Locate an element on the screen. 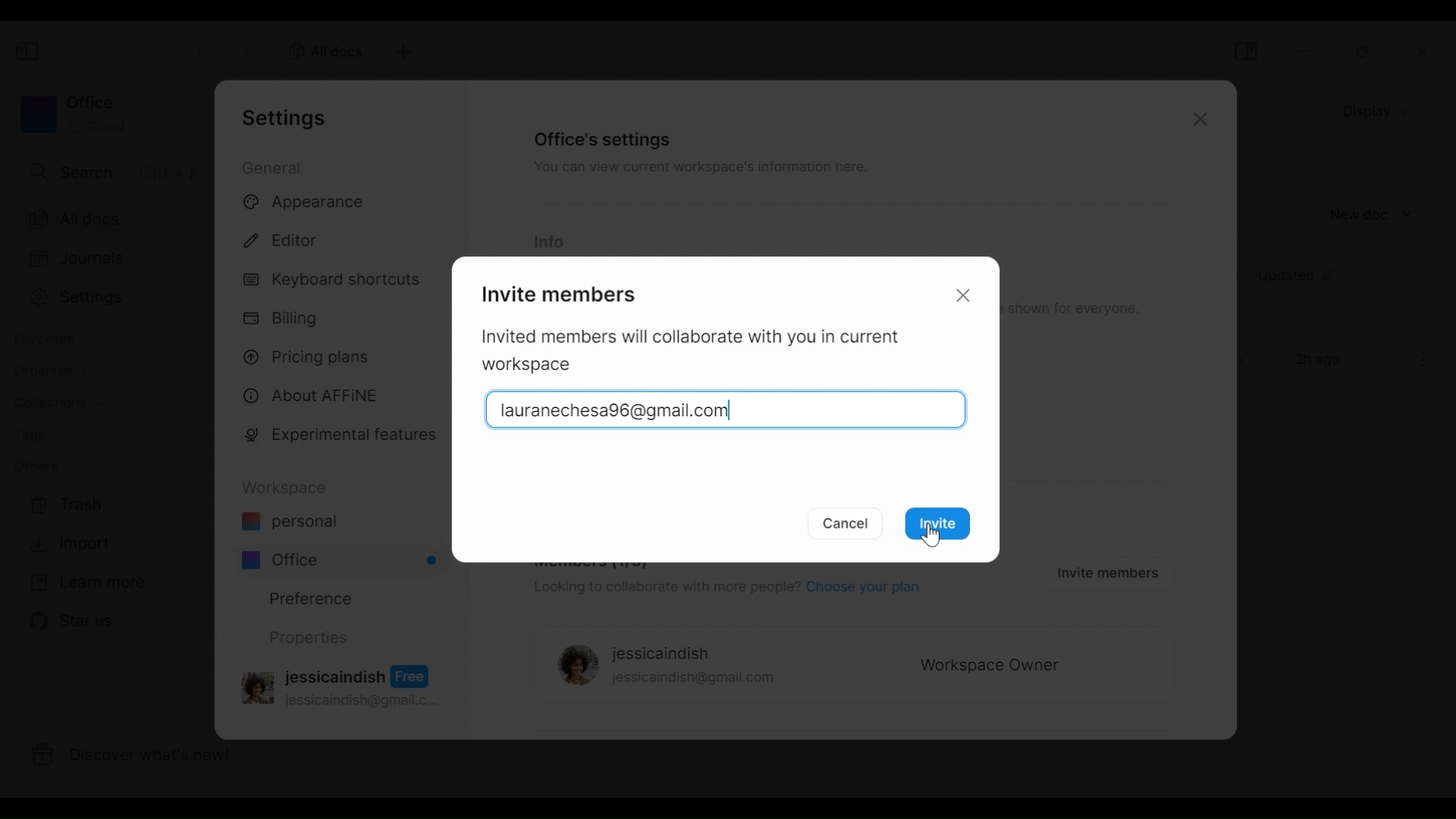 This screenshot has width=1456, height=819. Pricing plans is located at coordinates (312, 356).